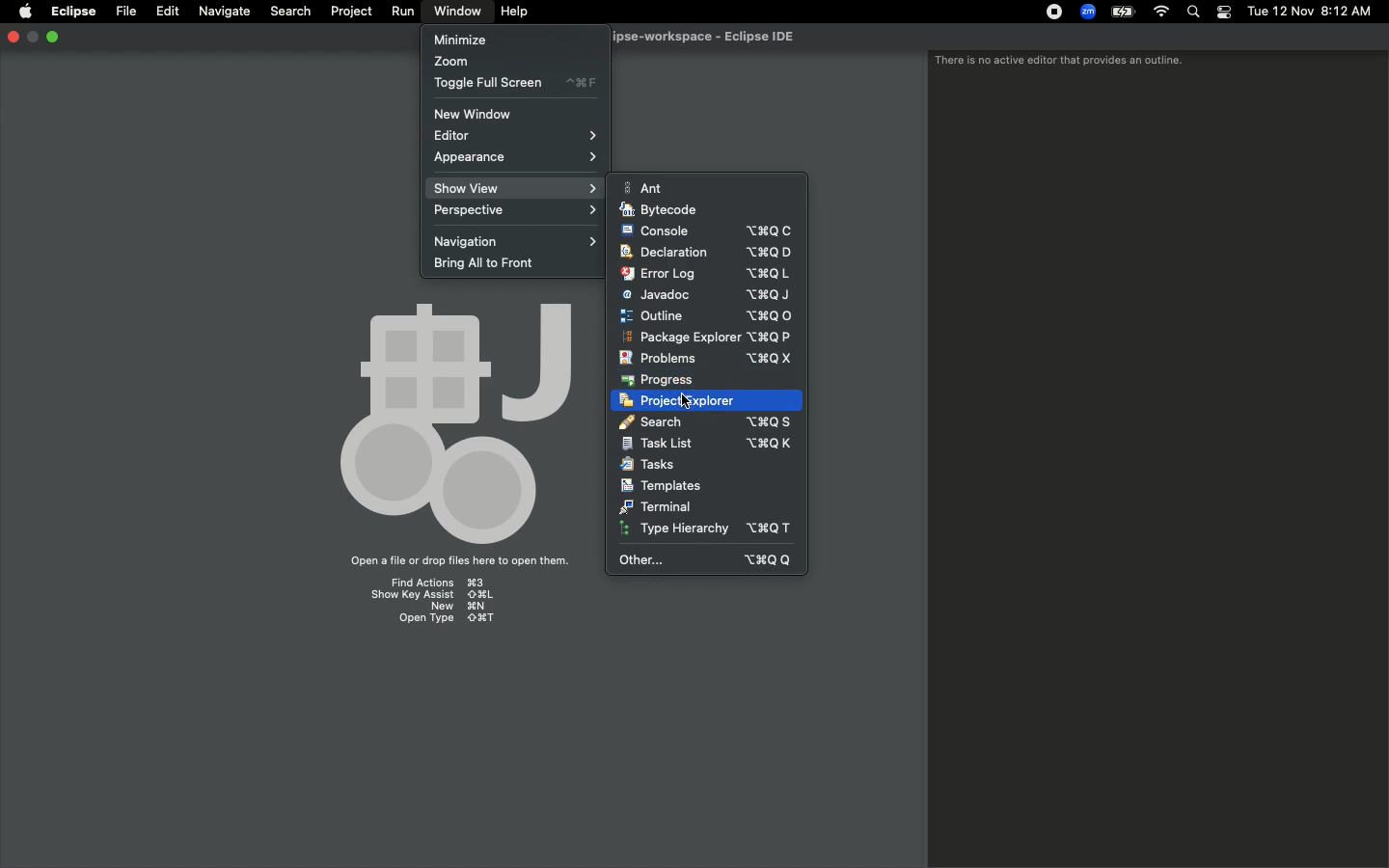 This screenshot has width=1389, height=868. I want to click on Open a file or drop files here to open them, so click(455, 562).